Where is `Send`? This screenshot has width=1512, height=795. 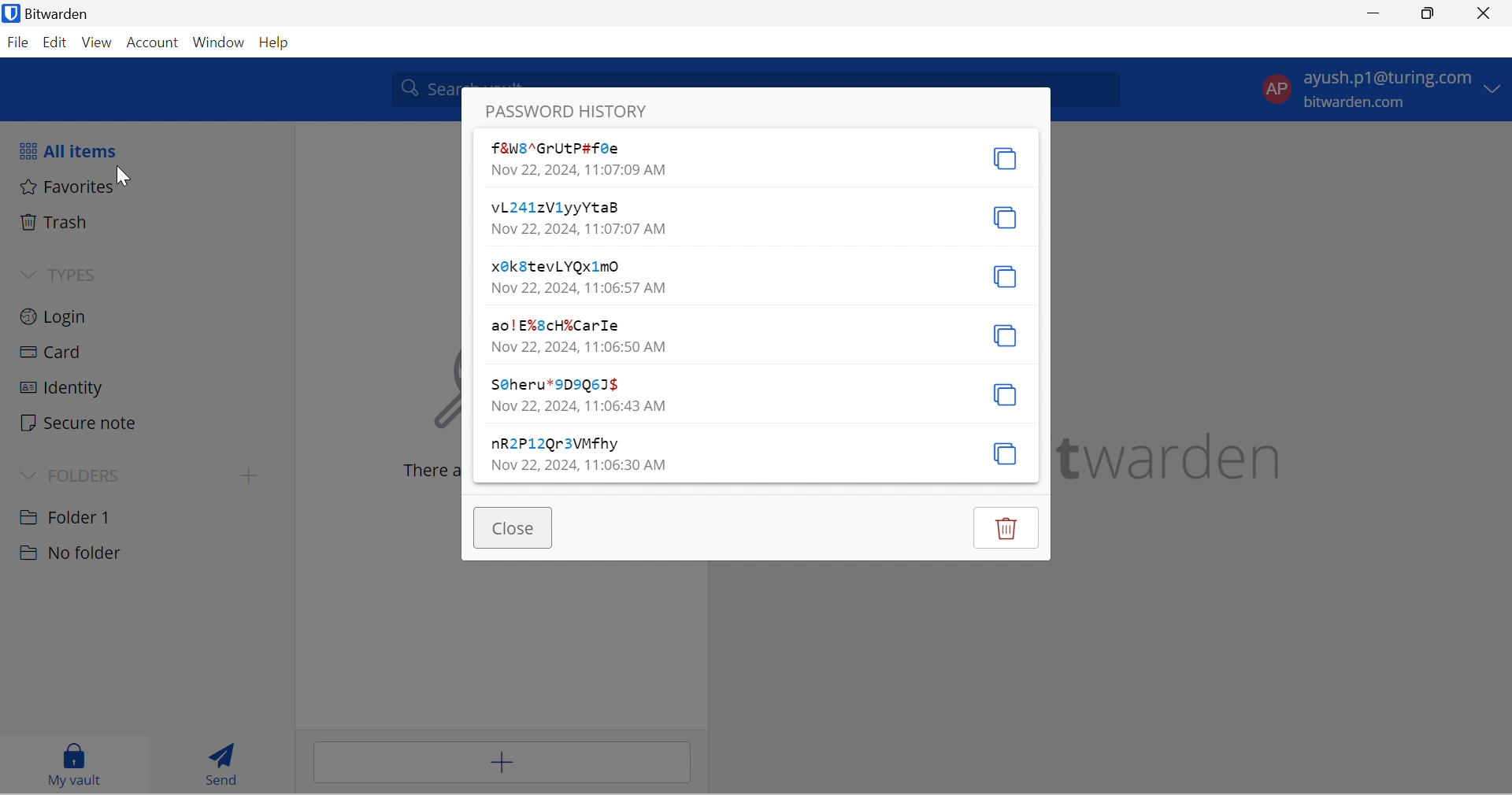 Send is located at coordinates (217, 760).